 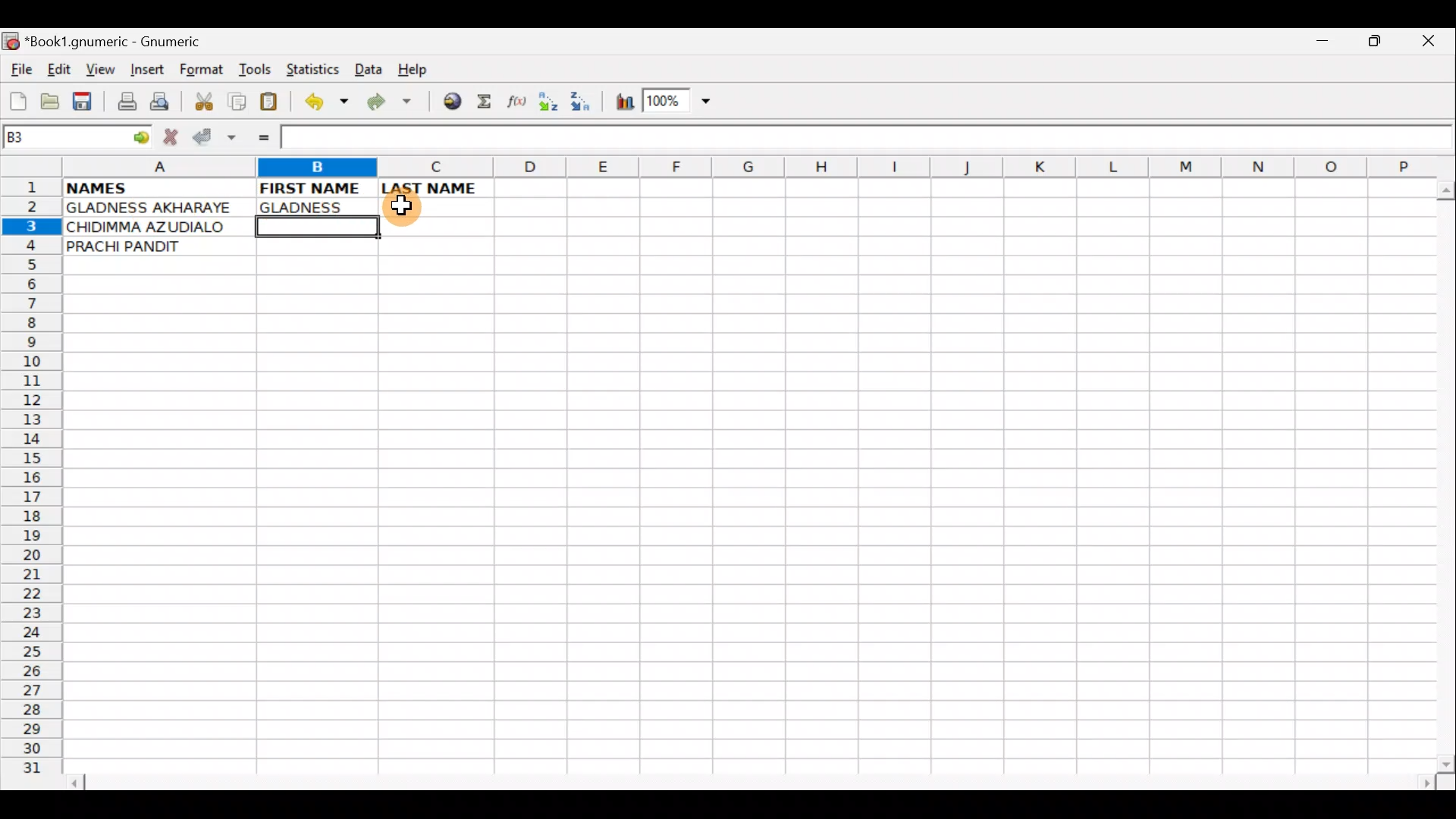 What do you see at coordinates (127, 42) in the screenshot?
I see `*Book1.gnumeric - Gnumeric` at bounding box center [127, 42].